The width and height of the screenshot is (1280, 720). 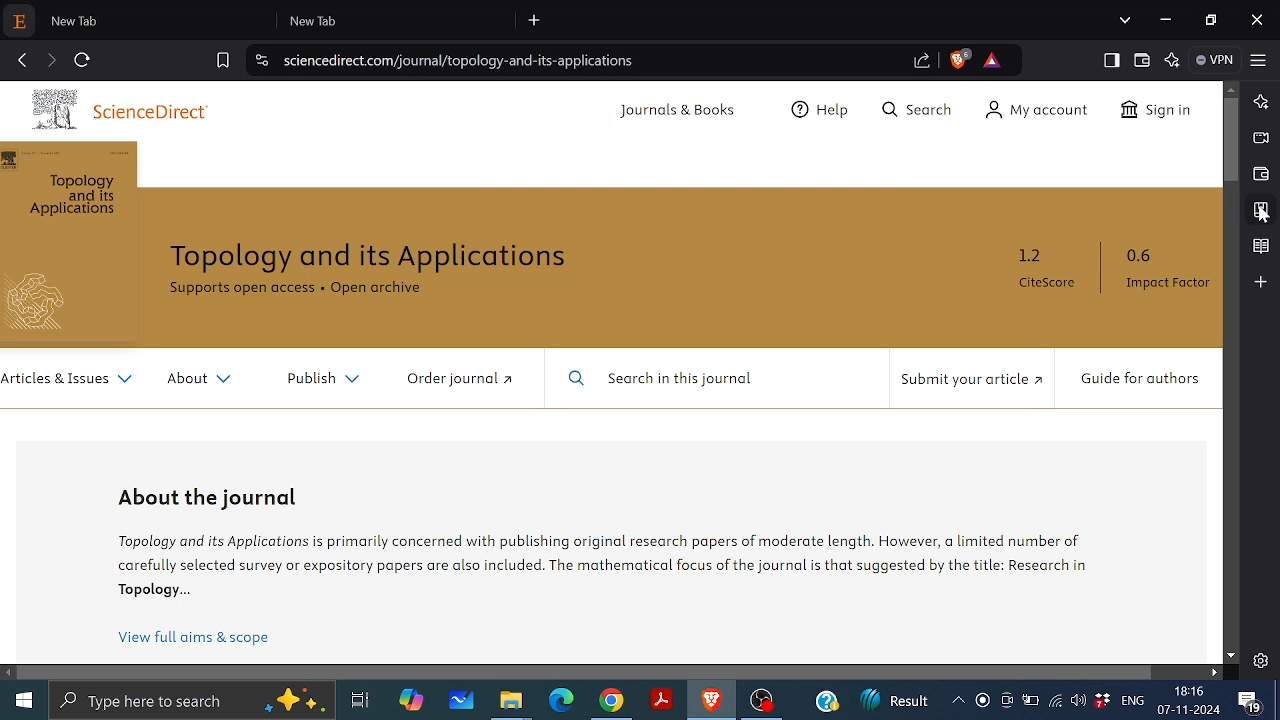 I want to click on ScienceDirect, so click(x=125, y=107).